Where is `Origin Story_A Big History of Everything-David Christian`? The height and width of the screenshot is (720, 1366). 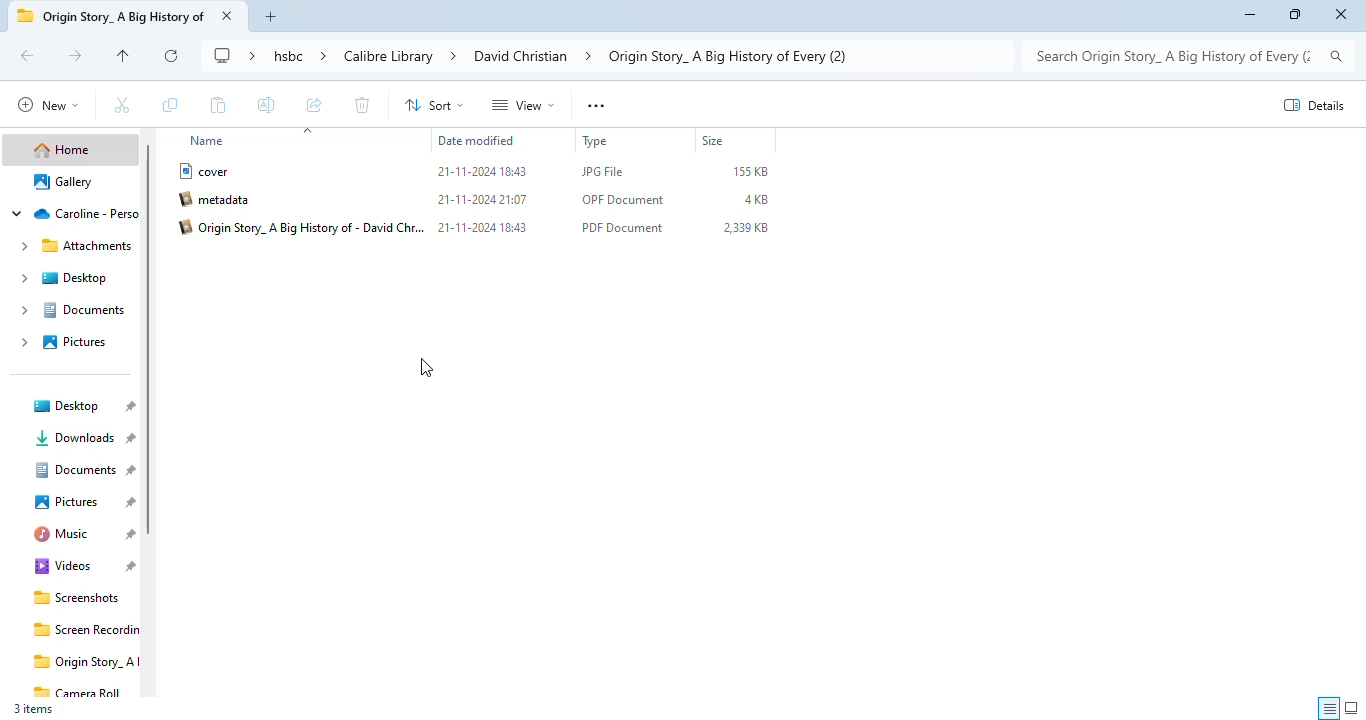
Origin Story_A Big History of Everything-David Christian is located at coordinates (300, 227).